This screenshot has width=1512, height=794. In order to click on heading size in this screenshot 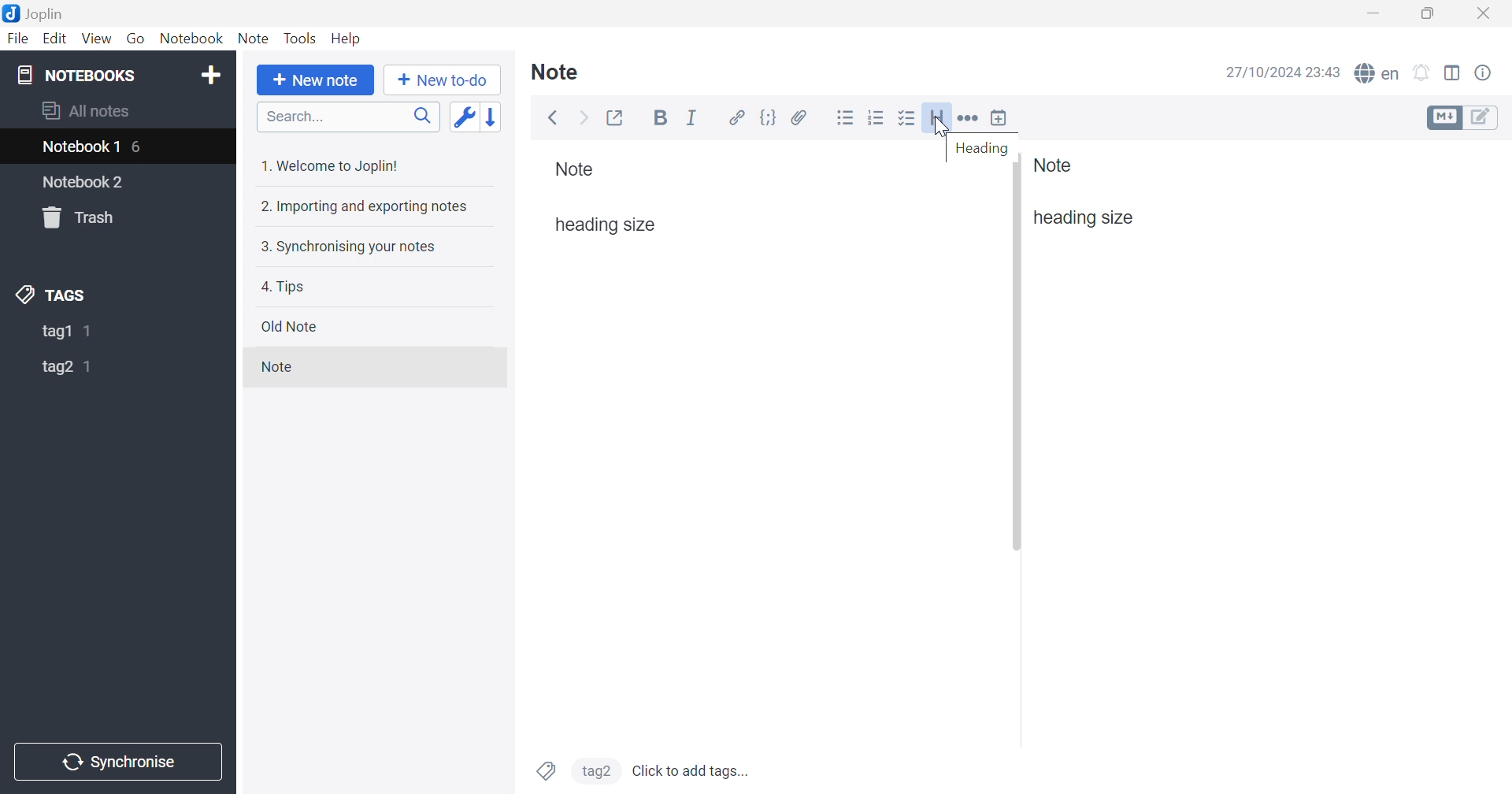, I will do `click(606, 225)`.